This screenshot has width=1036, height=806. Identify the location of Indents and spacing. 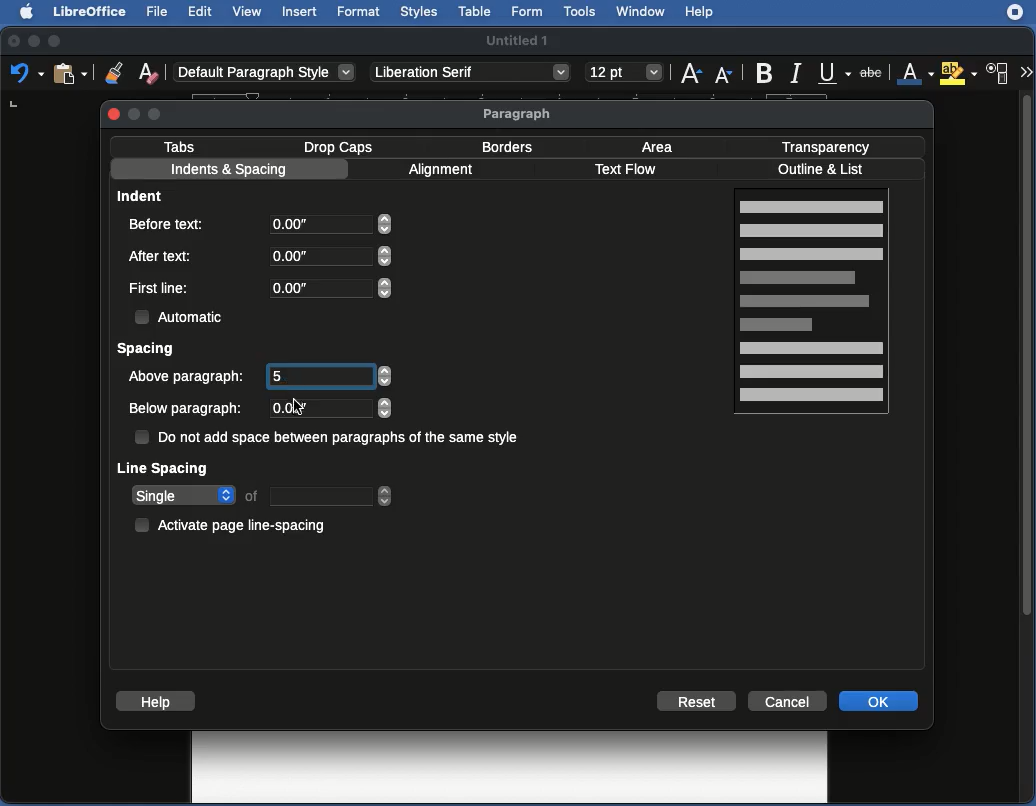
(229, 171).